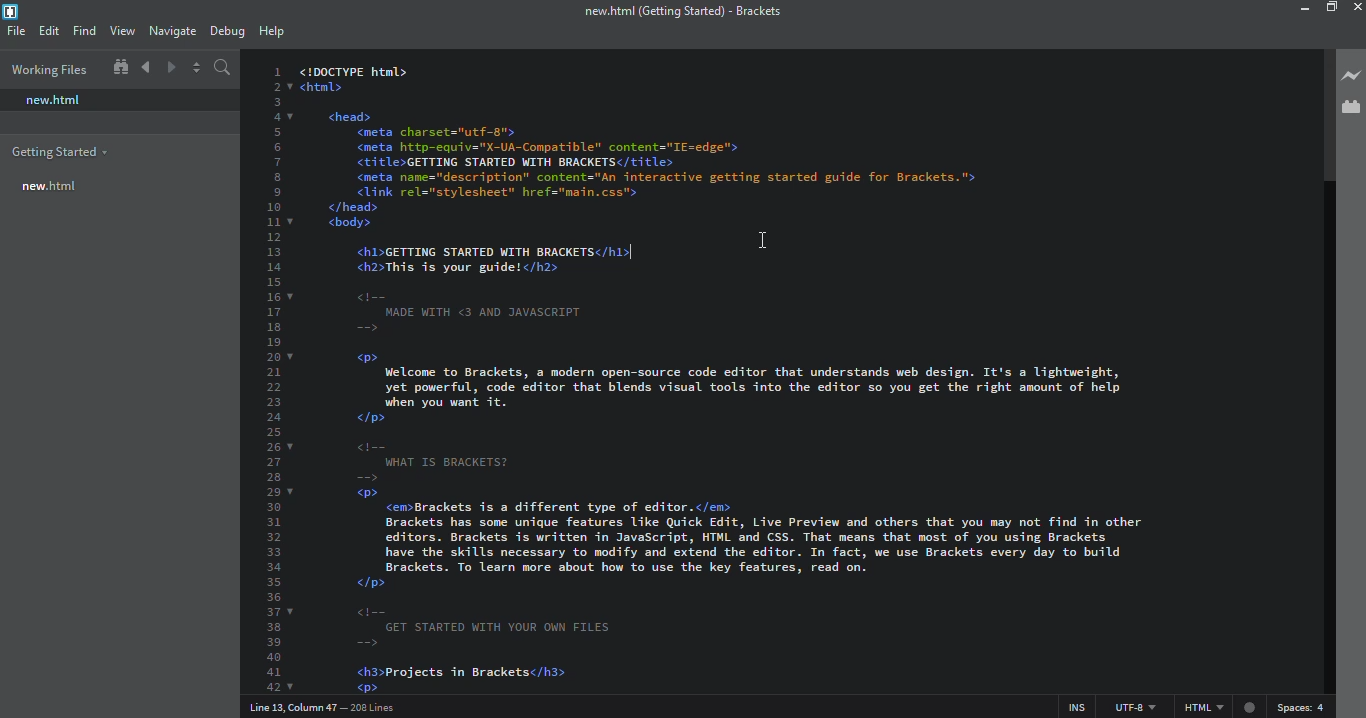 This screenshot has width=1366, height=718. I want to click on navigate forward, so click(172, 67).